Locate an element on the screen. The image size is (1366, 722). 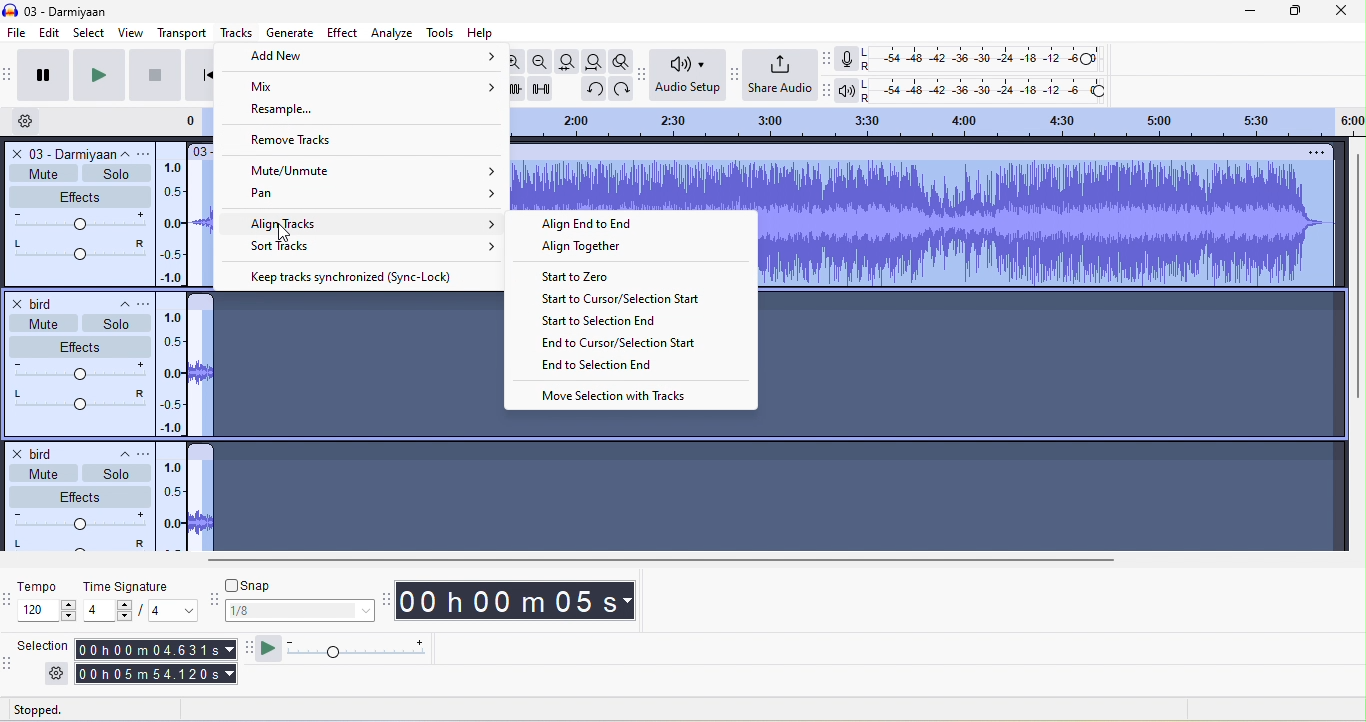
close is located at coordinates (1338, 11).